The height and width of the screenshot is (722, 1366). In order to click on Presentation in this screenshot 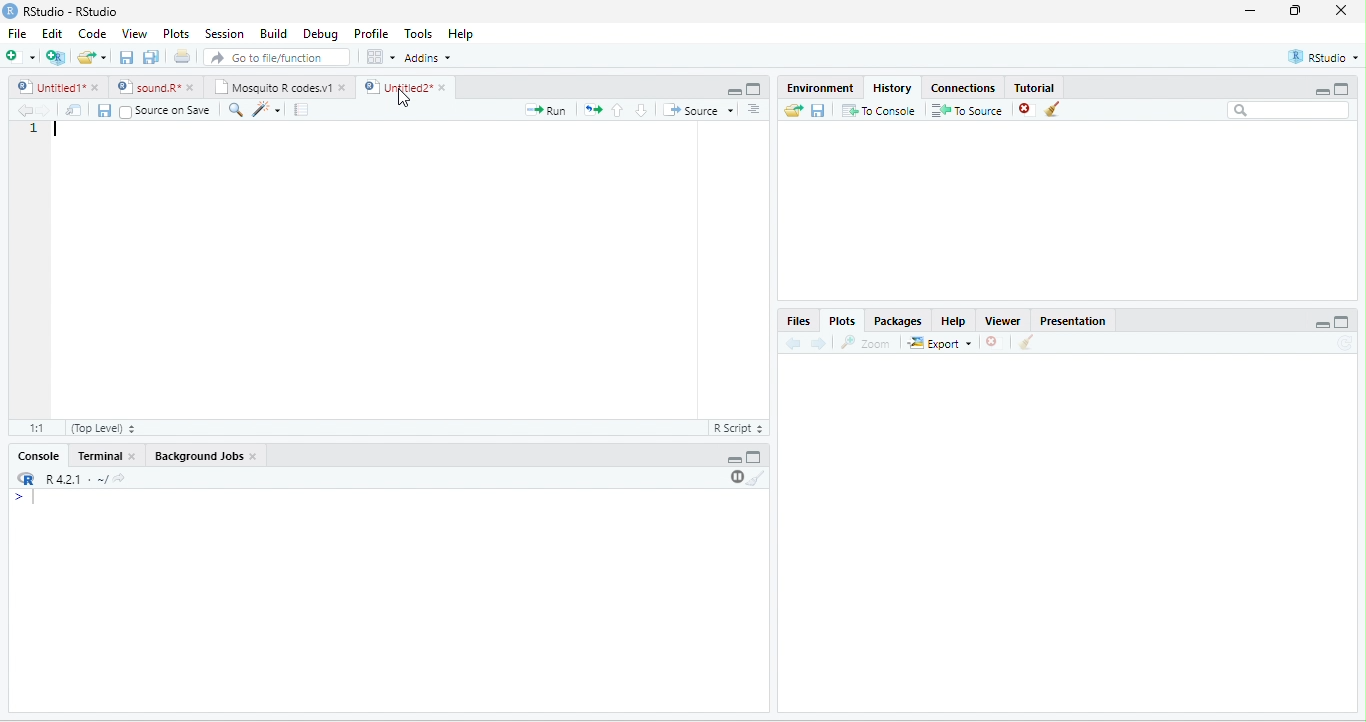, I will do `click(1074, 321)`.